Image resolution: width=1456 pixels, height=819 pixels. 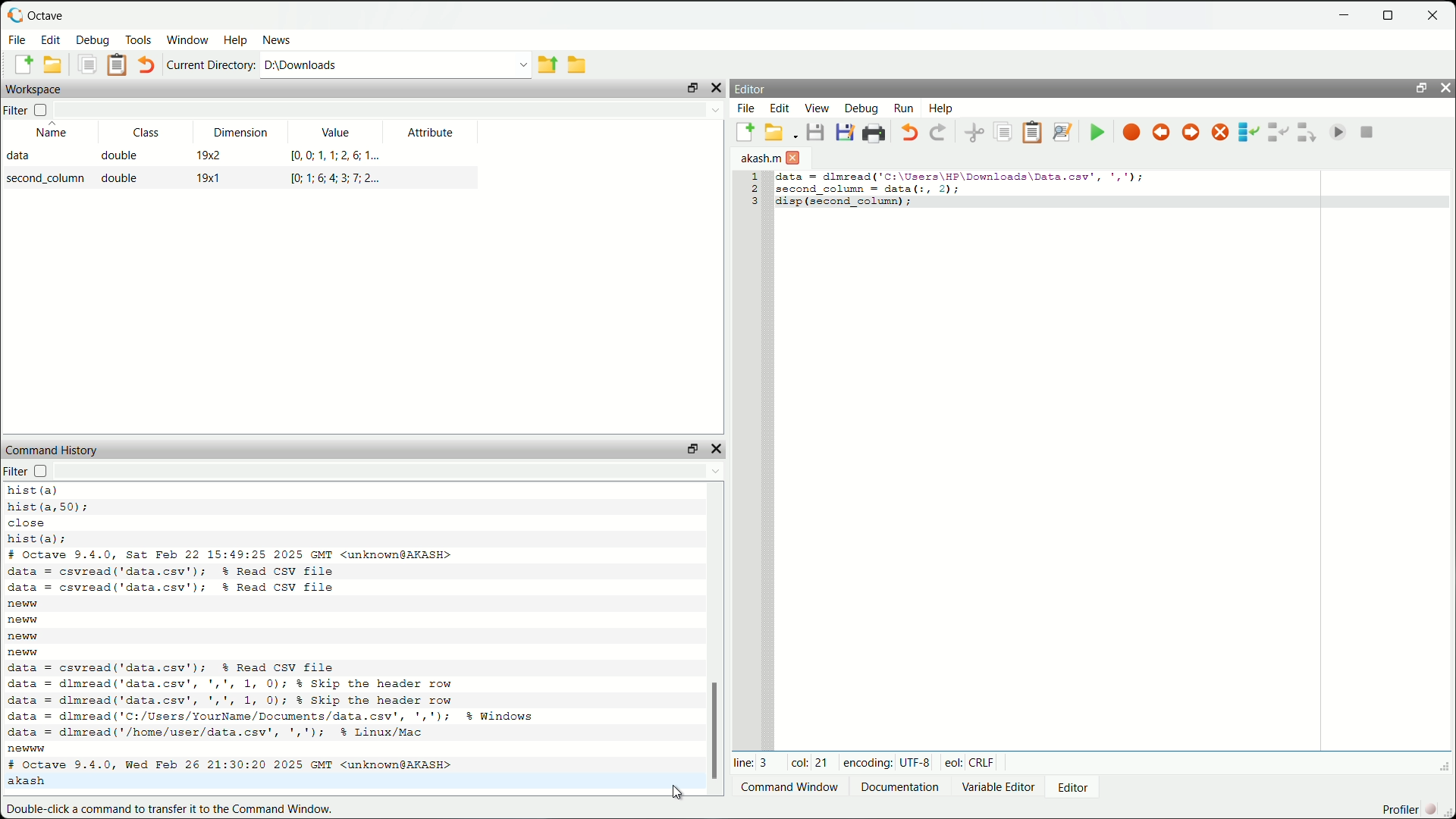 What do you see at coordinates (817, 135) in the screenshot?
I see `save file` at bounding box center [817, 135].